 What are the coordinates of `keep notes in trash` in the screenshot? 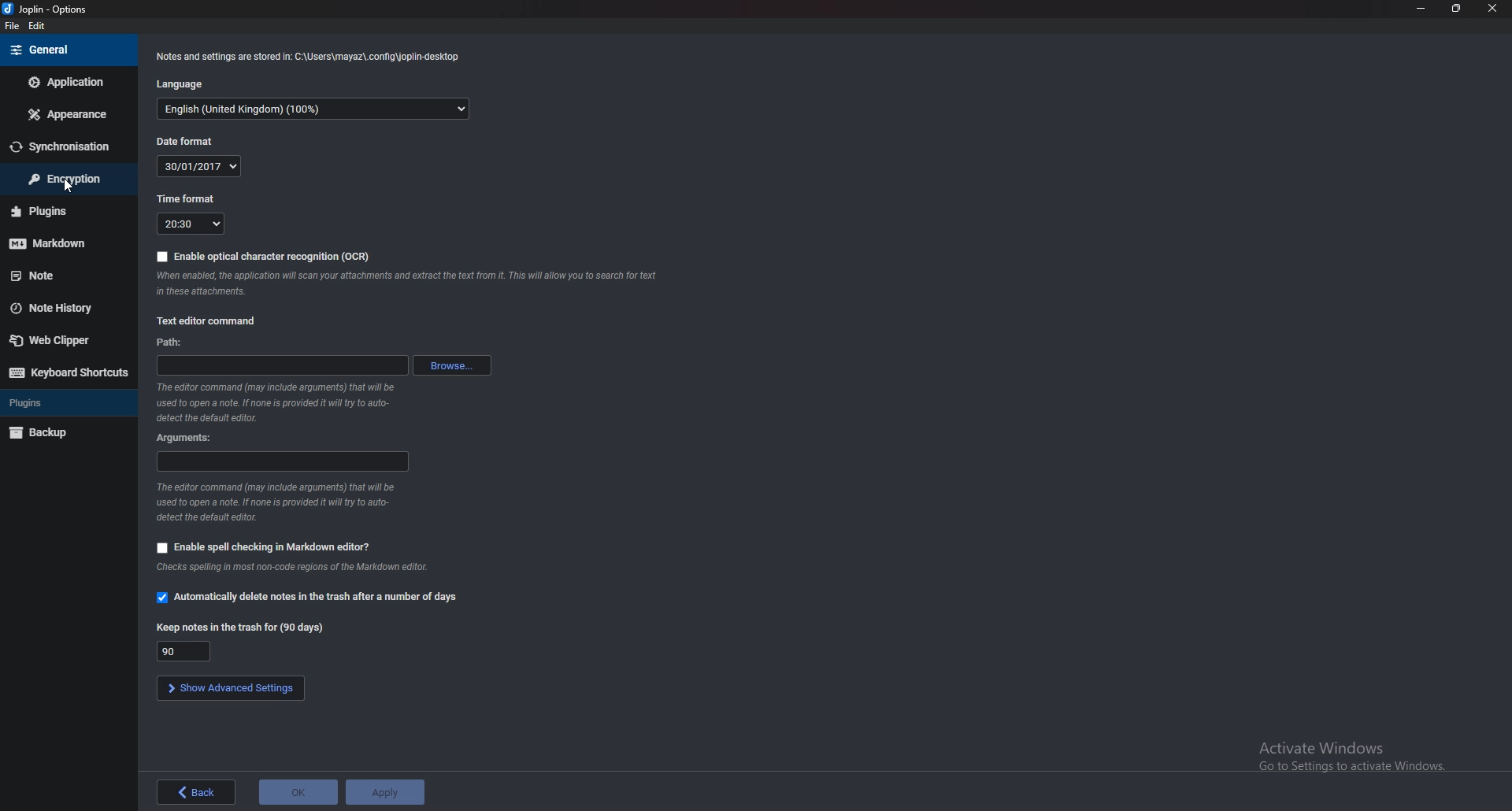 It's located at (182, 650).